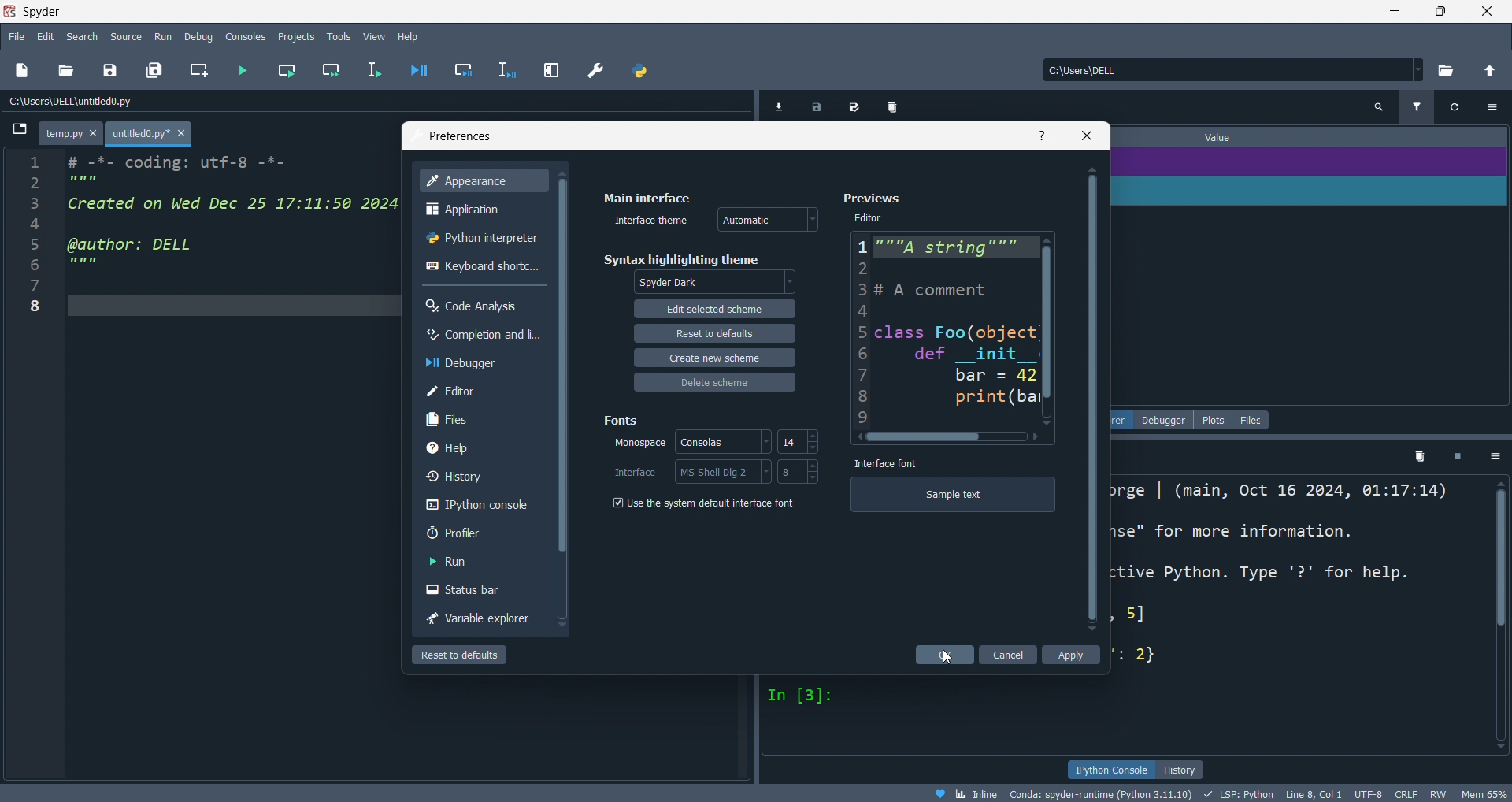  What do you see at coordinates (44, 35) in the screenshot?
I see `edit` at bounding box center [44, 35].